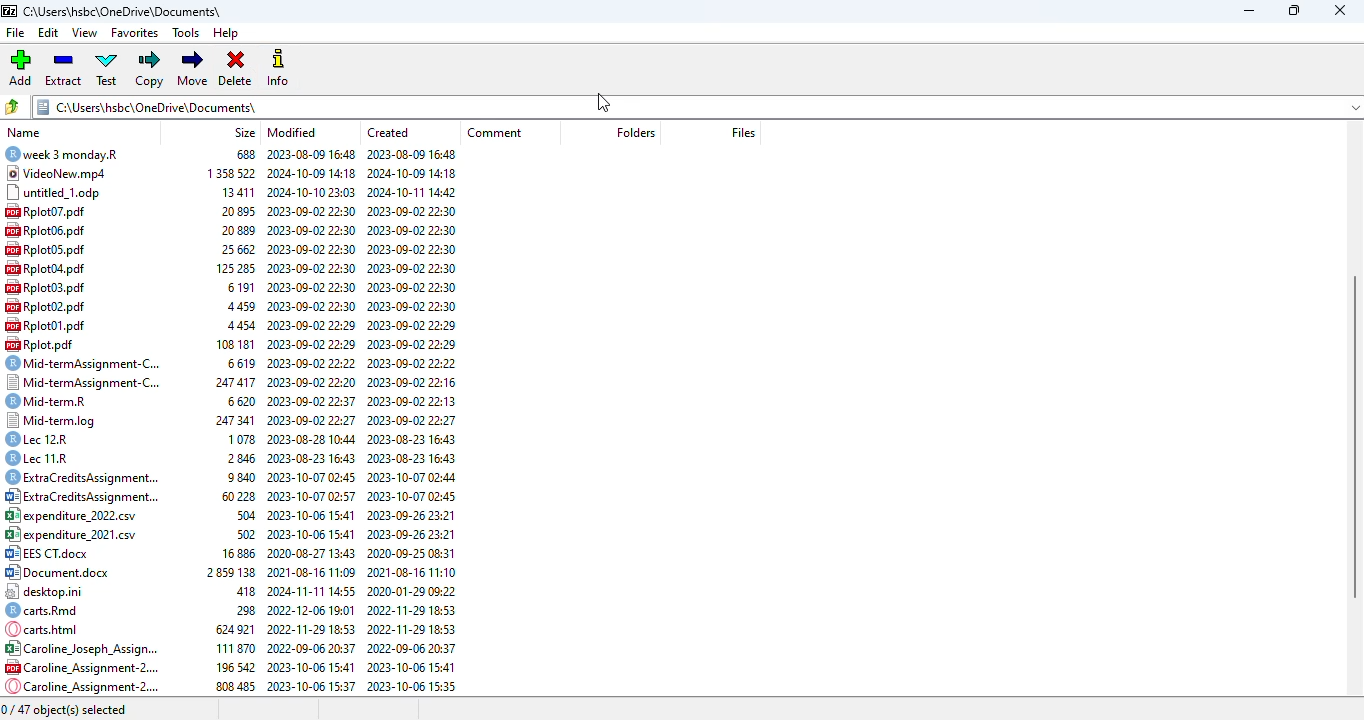 The width and height of the screenshot is (1364, 720). I want to click on 2003-00-76 22.91, so click(412, 535).